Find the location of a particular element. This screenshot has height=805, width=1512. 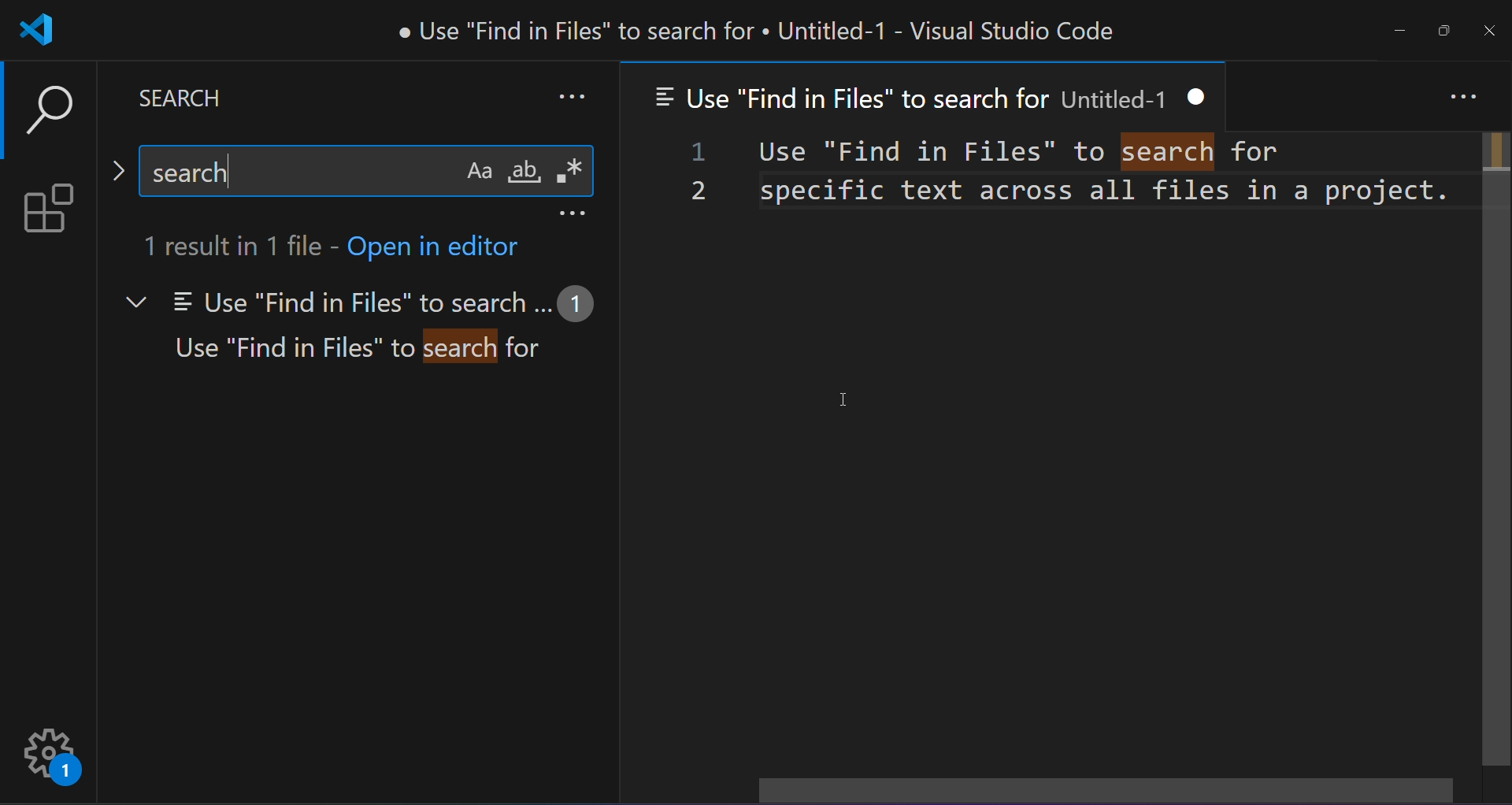

Use "Find in Files" to search for is located at coordinates (362, 349).